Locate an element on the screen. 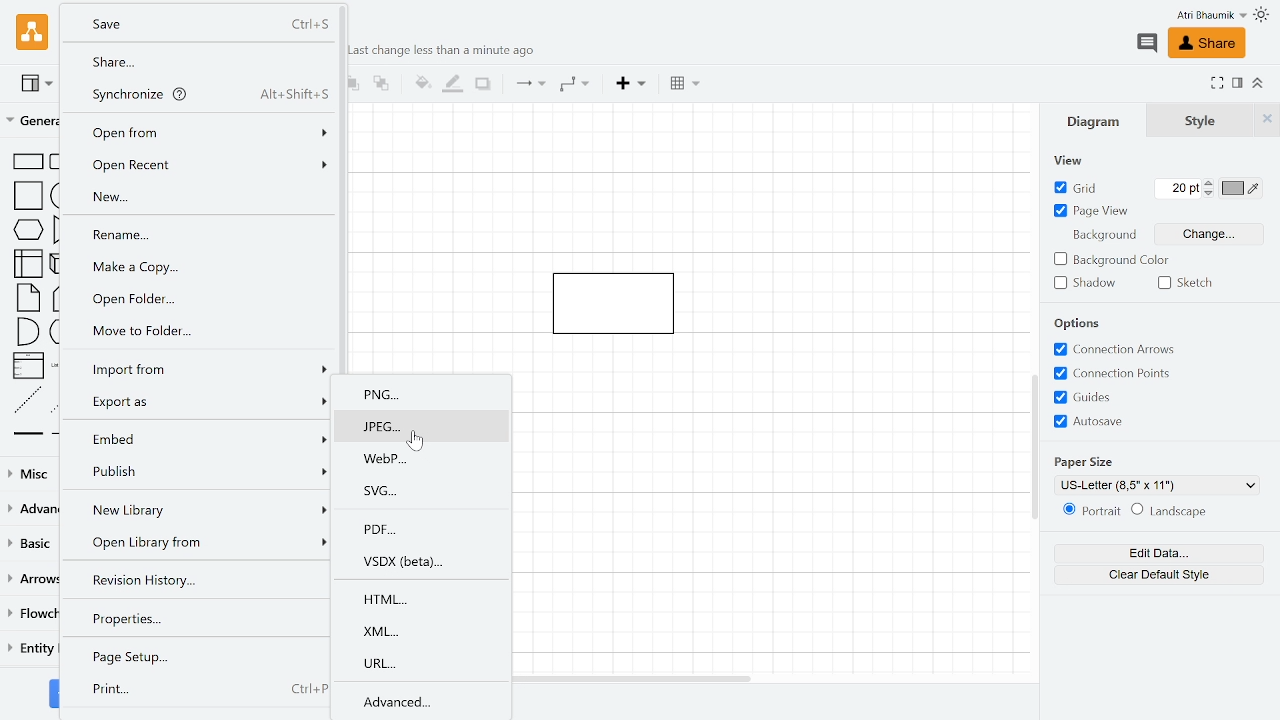 The image size is (1280, 720). Move to folder is located at coordinates (206, 331).